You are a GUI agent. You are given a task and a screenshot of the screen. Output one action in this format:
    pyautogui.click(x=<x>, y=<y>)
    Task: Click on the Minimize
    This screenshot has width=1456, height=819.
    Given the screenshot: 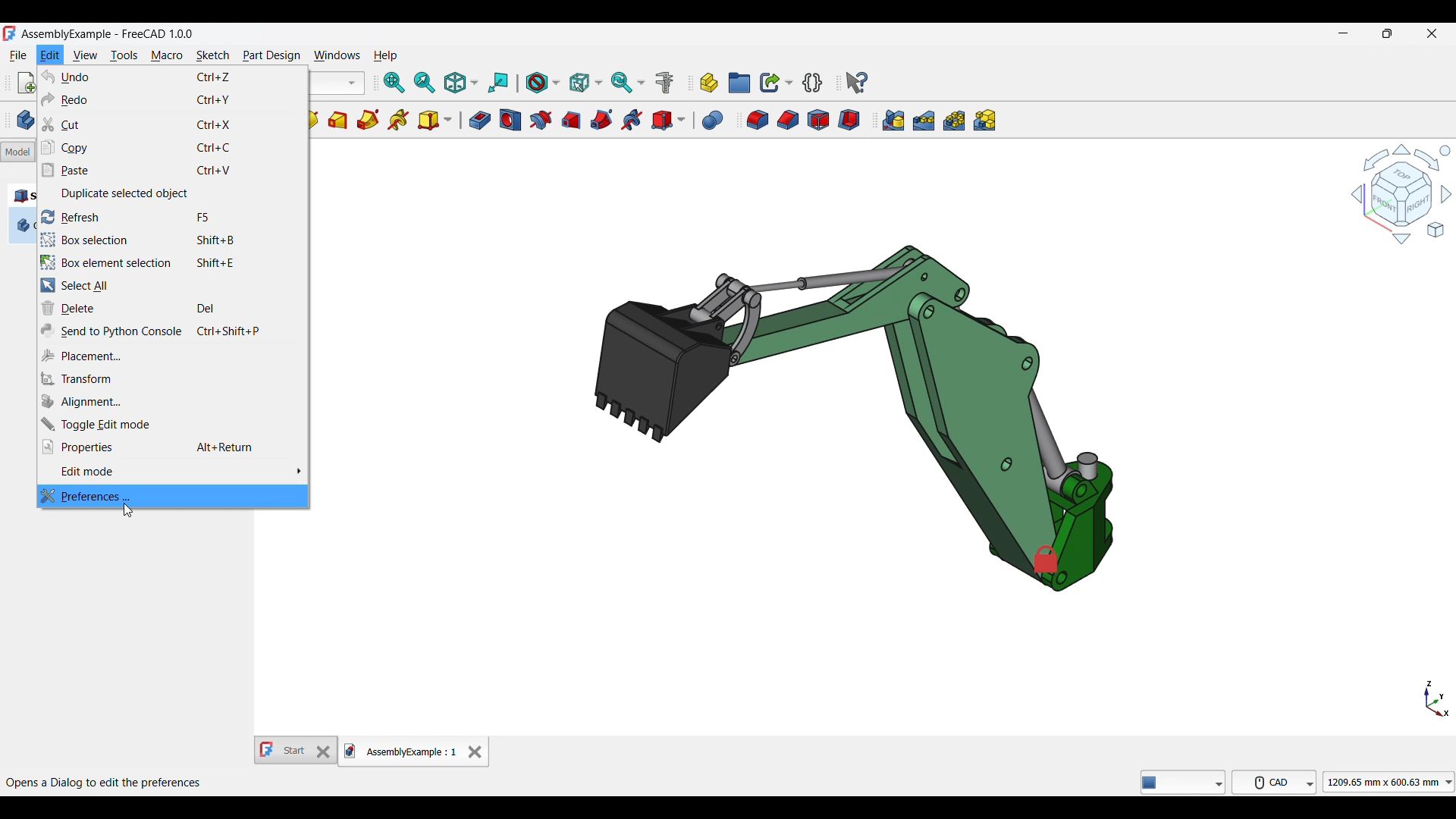 What is the action you would take?
    pyautogui.click(x=1344, y=33)
    